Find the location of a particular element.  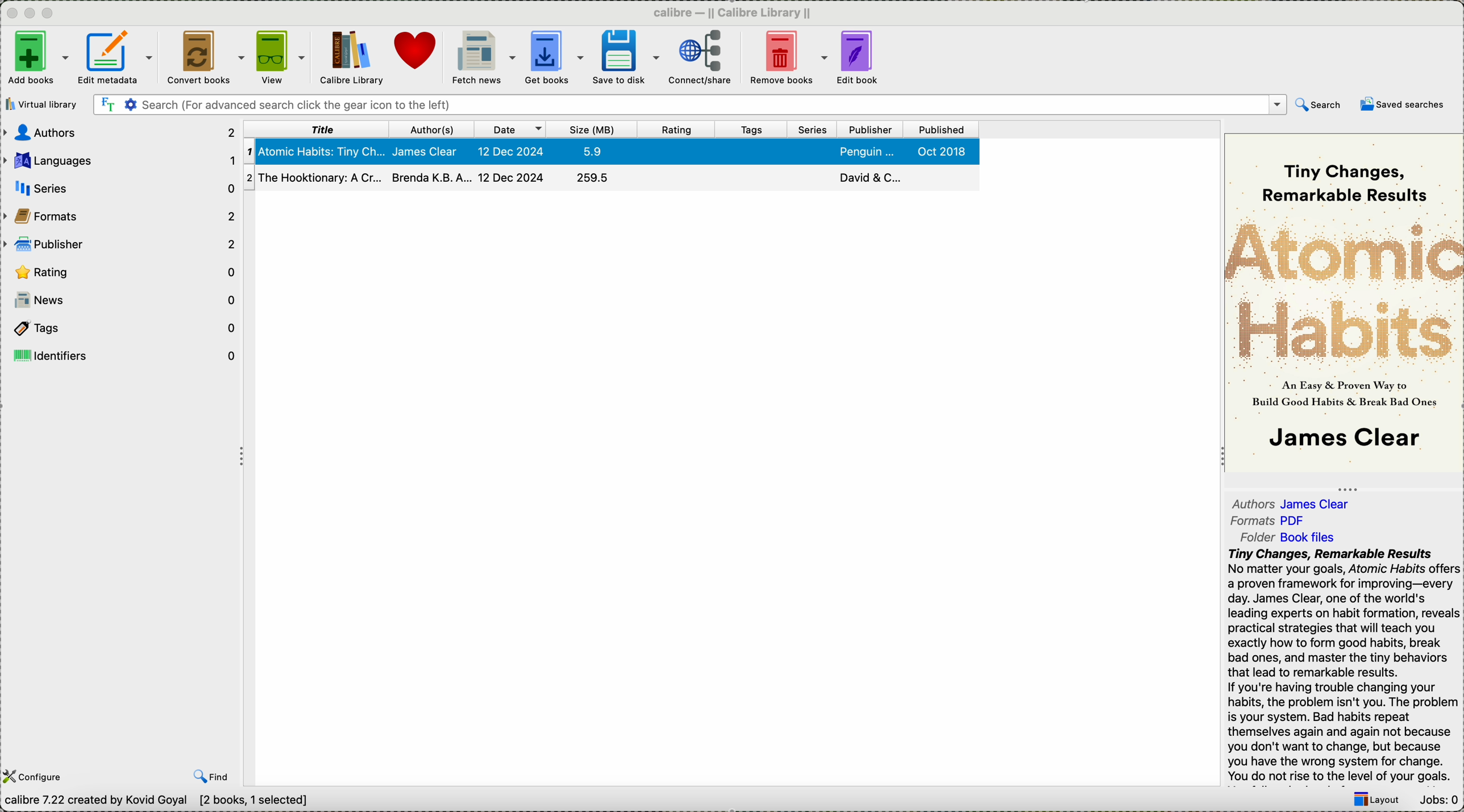

search bar is located at coordinates (688, 105).